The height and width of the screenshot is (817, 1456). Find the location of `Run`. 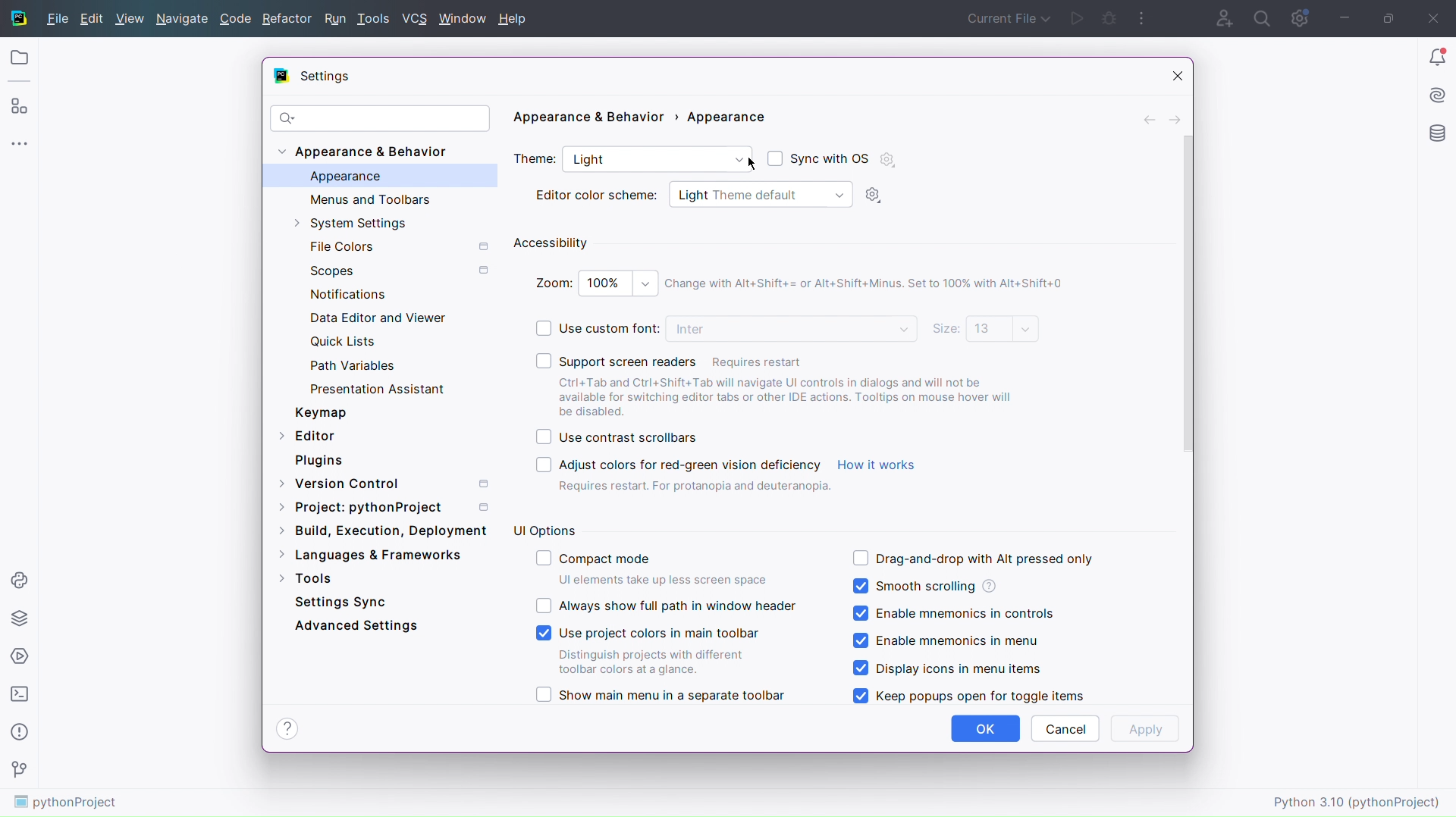

Run is located at coordinates (1079, 18).